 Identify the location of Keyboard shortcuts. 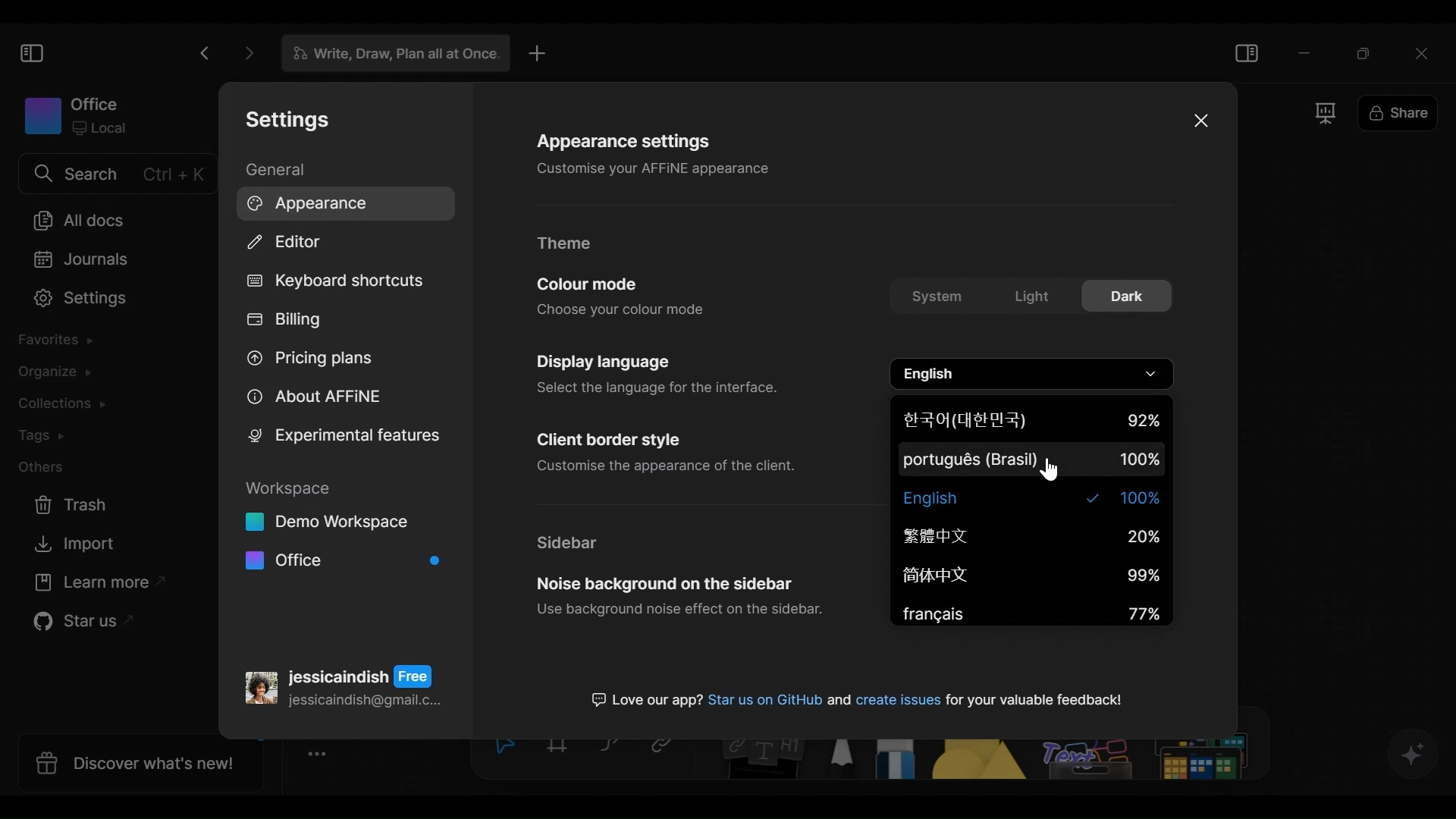
(333, 282).